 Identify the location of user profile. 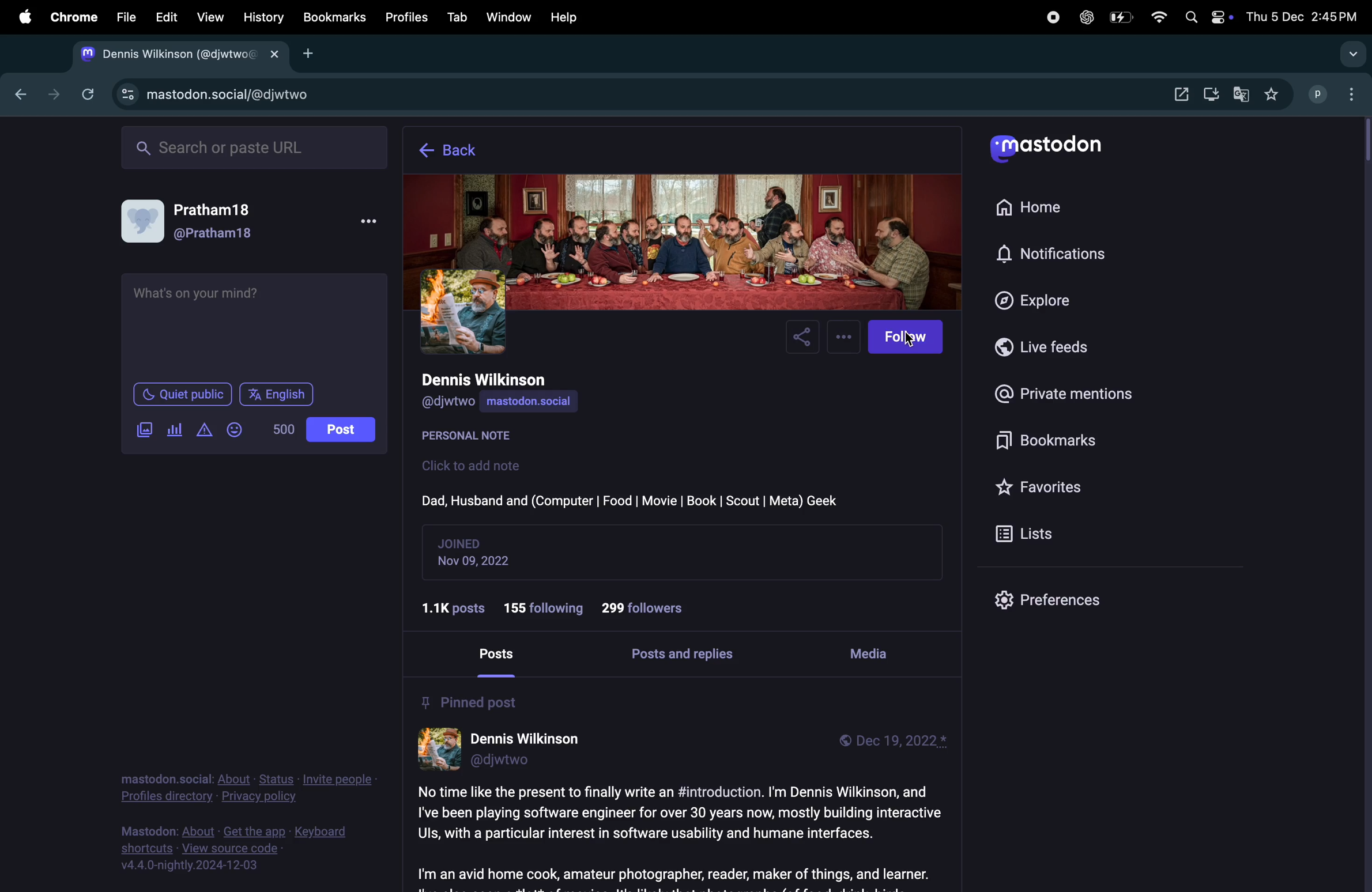
(201, 219).